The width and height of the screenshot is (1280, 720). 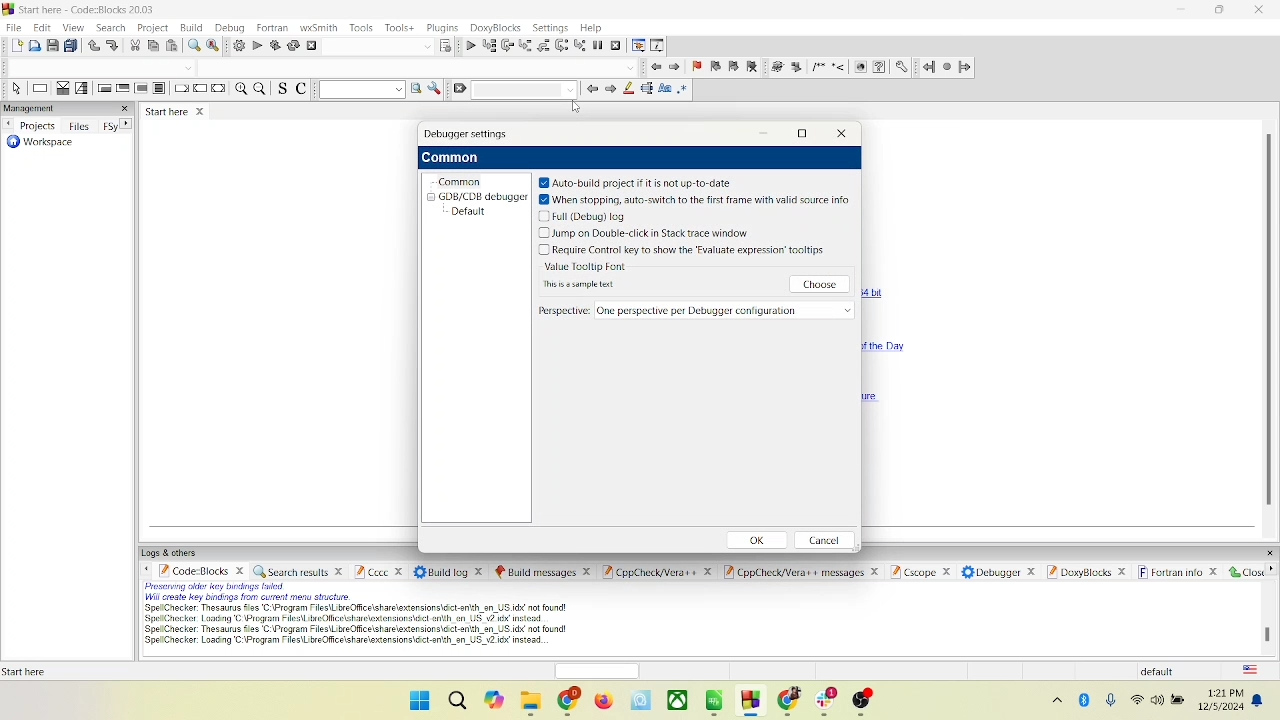 I want to click on return instruction, so click(x=221, y=88).